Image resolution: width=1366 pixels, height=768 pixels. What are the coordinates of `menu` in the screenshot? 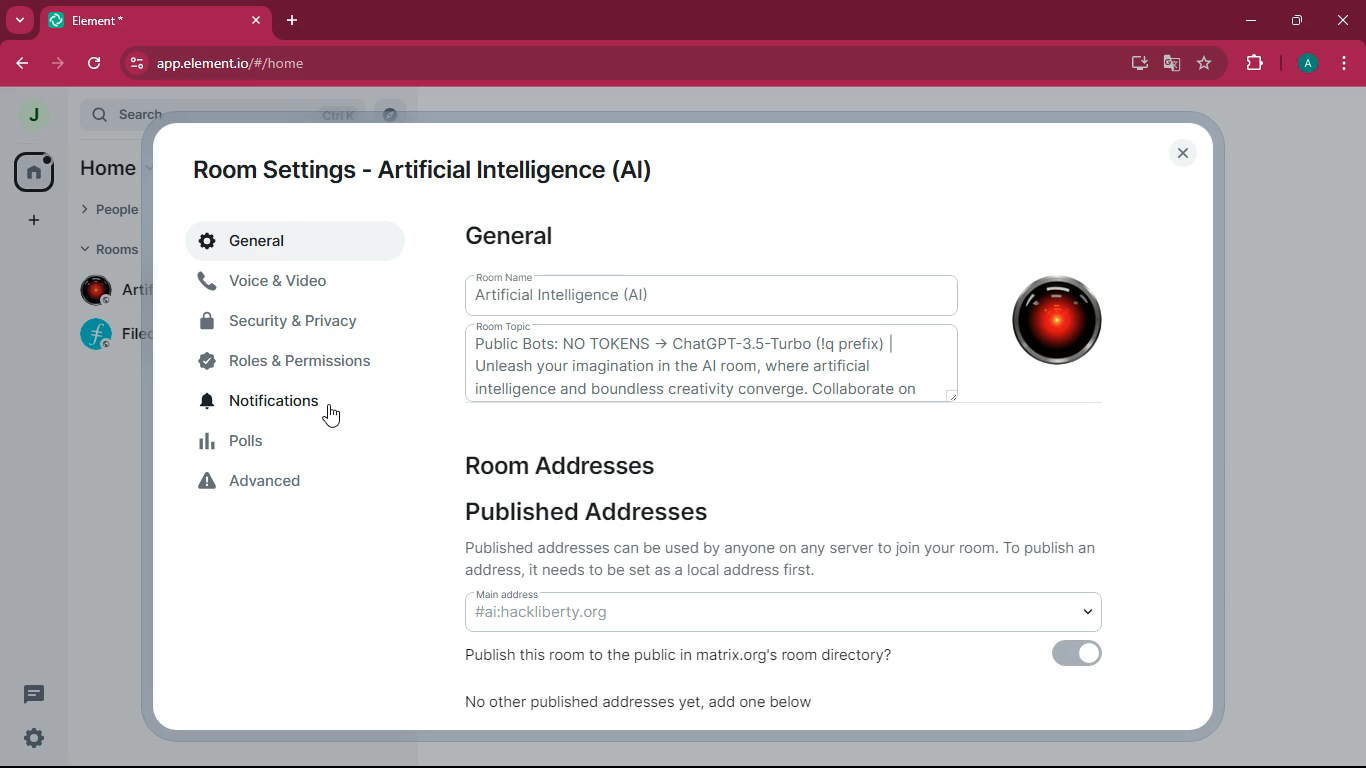 It's located at (1343, 66).